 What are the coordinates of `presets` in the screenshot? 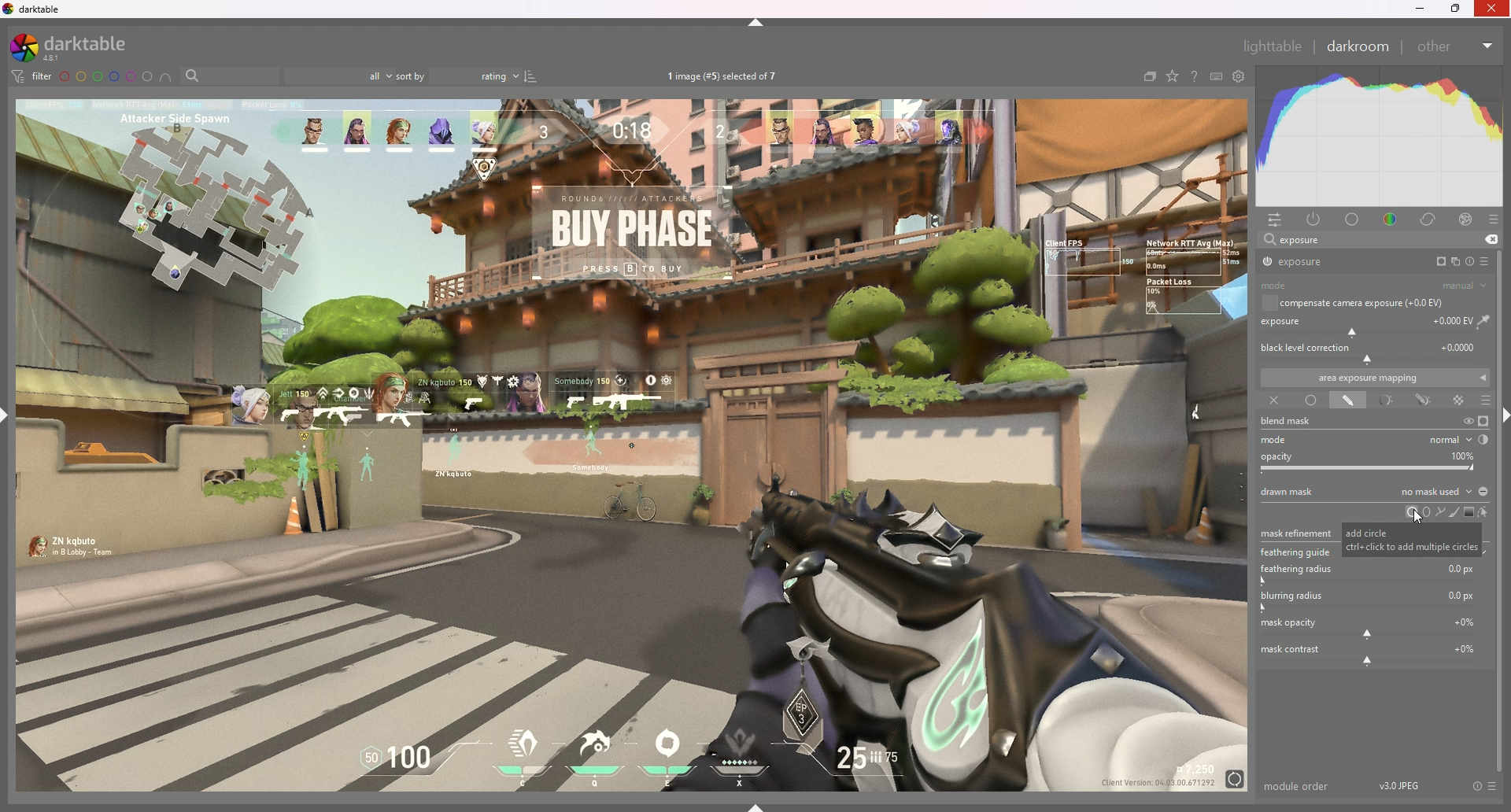 It's located at (1494, 787).